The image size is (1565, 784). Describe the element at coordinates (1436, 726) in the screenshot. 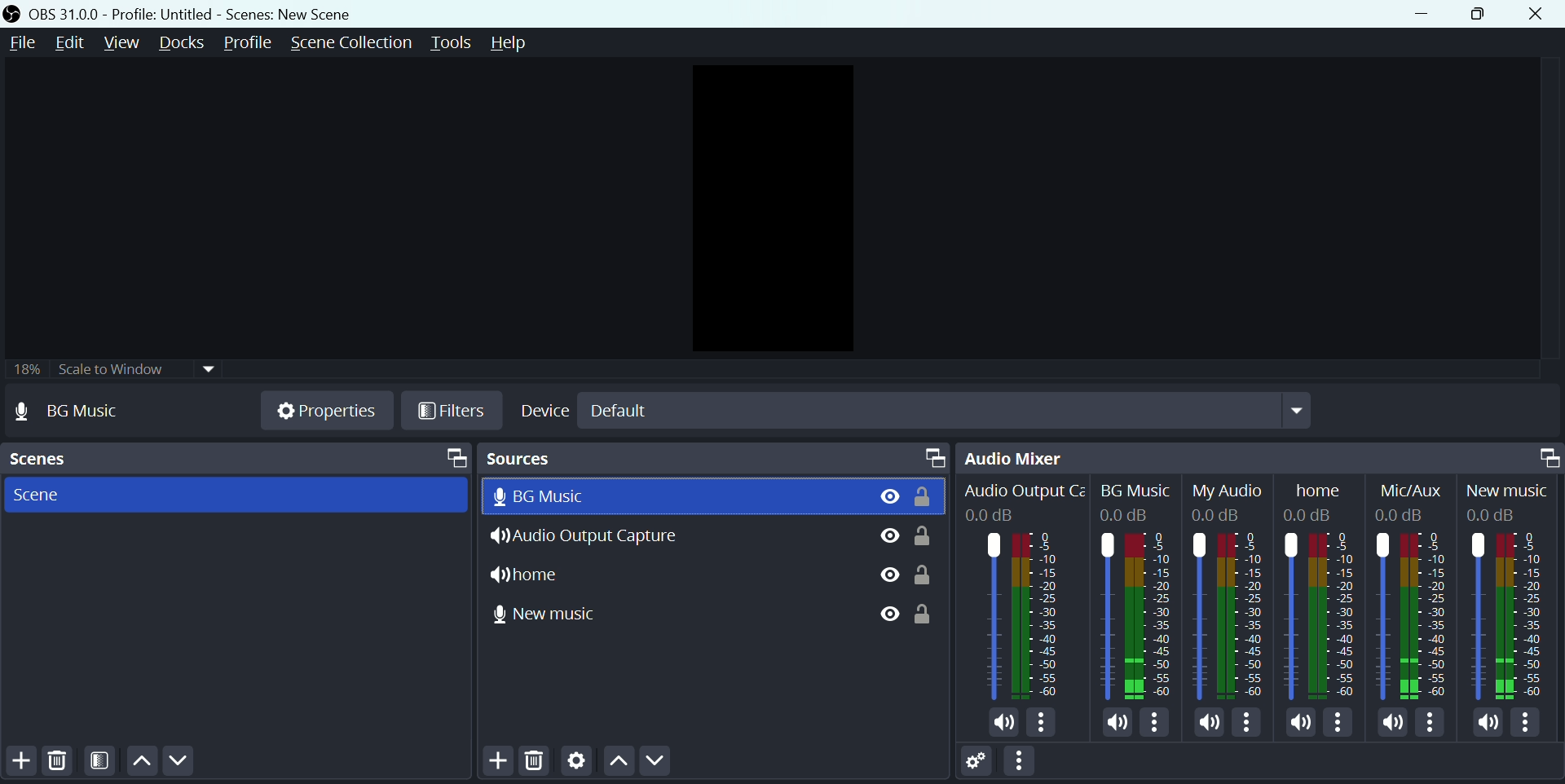

I see `More` at that location.